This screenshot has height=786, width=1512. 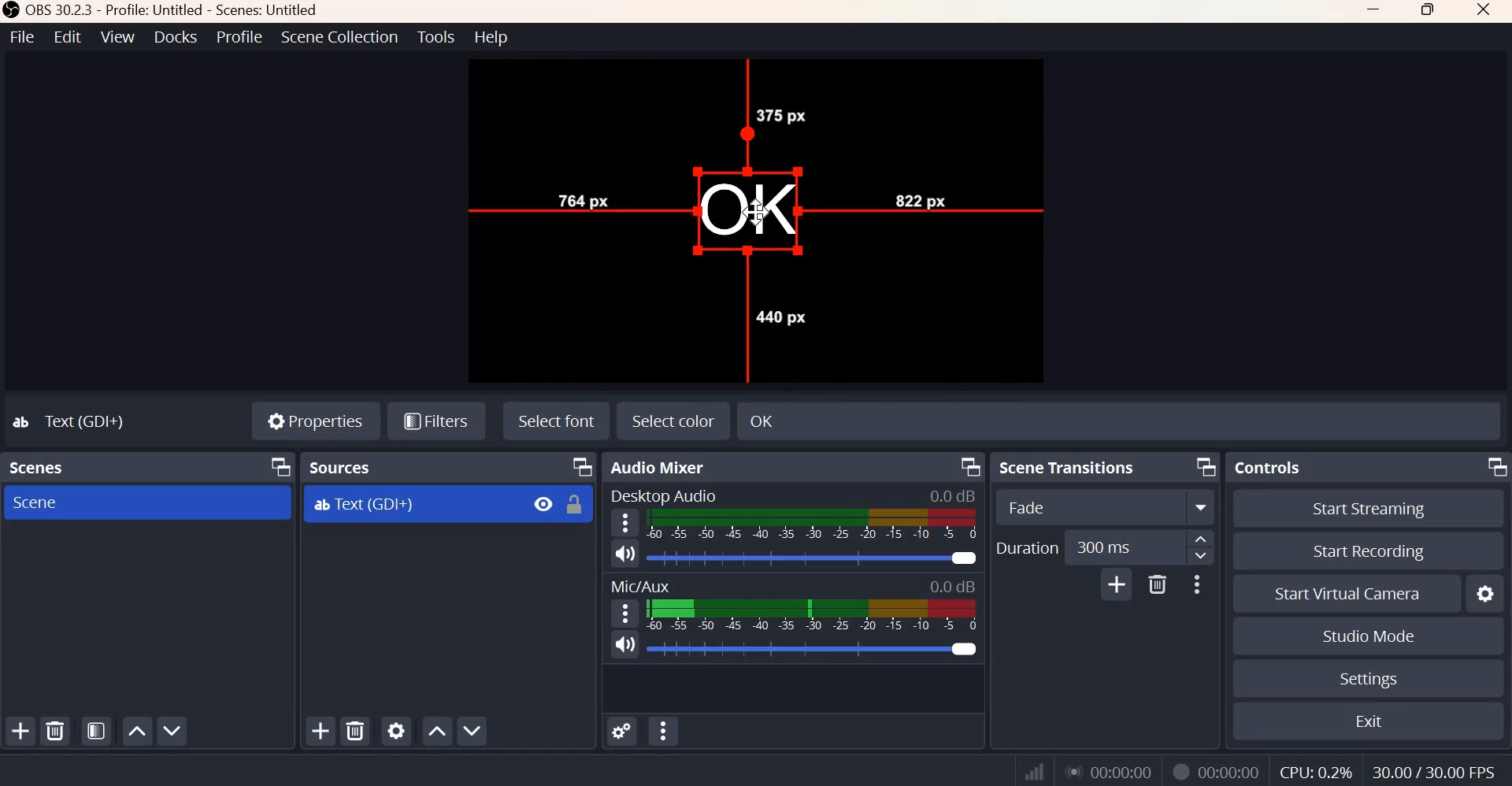 I want to click on Remove scene, so click(x=54, y=730).